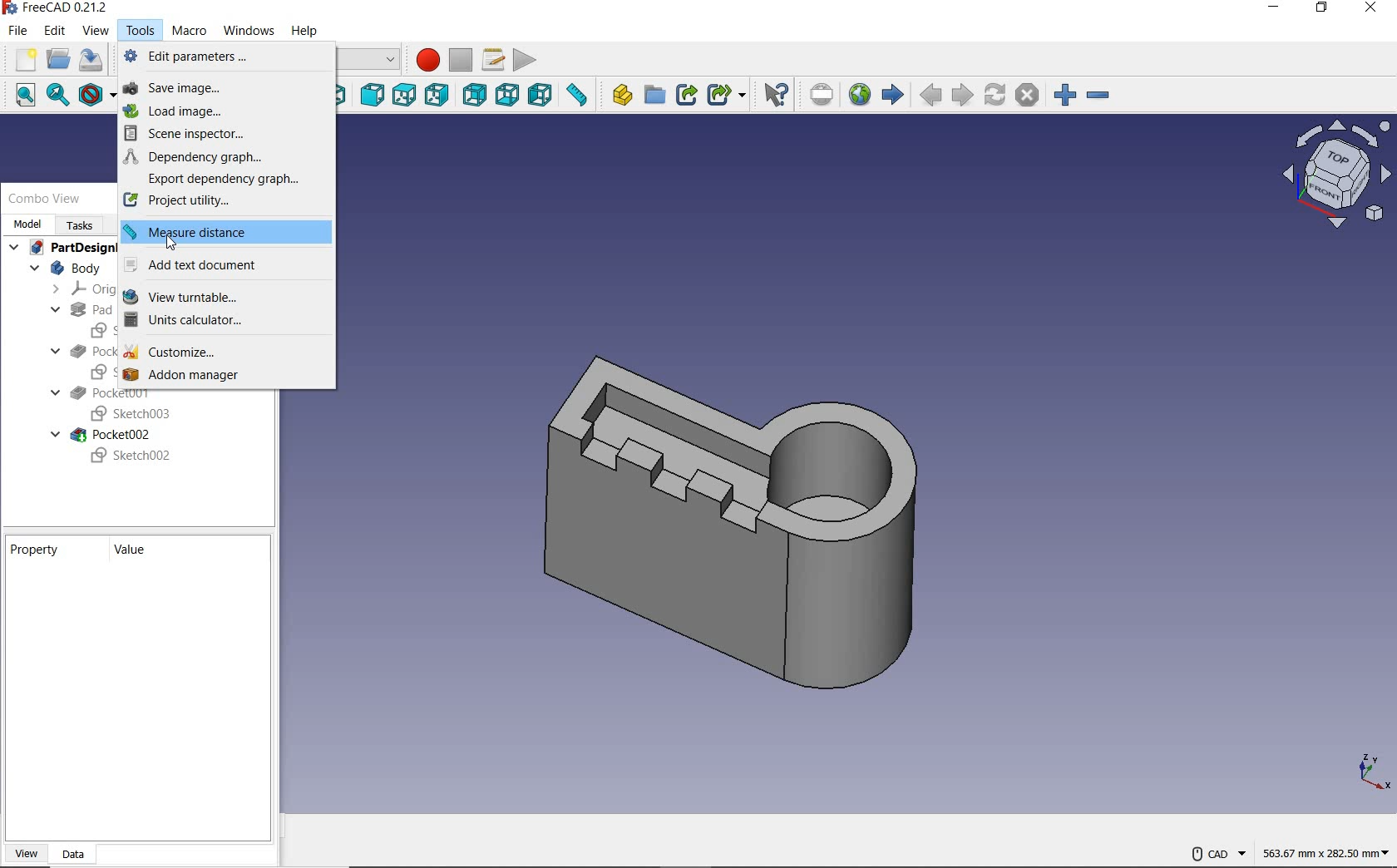 This screenshot has width=1397, height=868. I want to click on execute macro, so click(526, 60).